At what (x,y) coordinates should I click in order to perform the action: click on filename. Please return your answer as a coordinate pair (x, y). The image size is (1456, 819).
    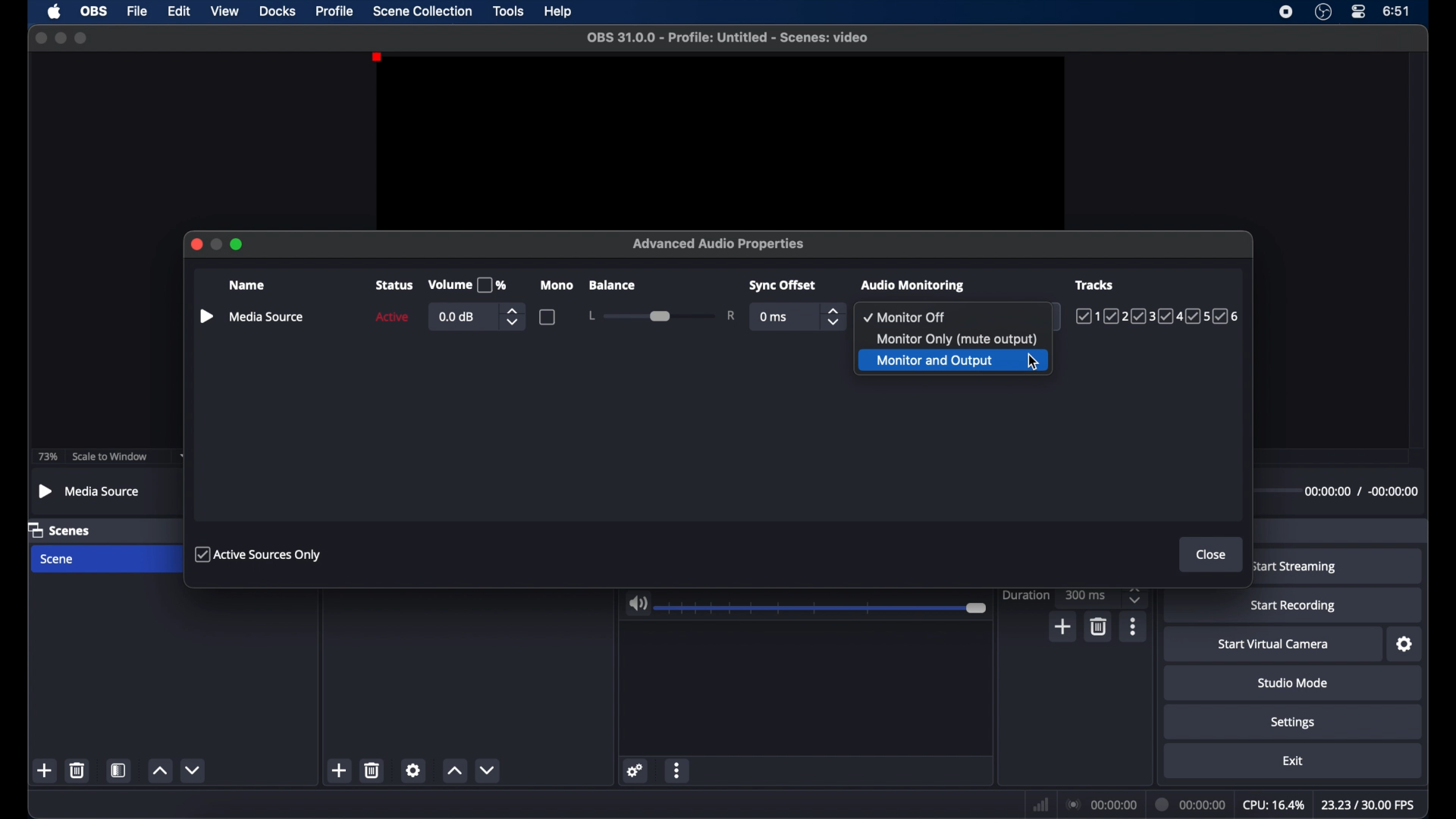
    Looking at the image, I should click on (729, 38).